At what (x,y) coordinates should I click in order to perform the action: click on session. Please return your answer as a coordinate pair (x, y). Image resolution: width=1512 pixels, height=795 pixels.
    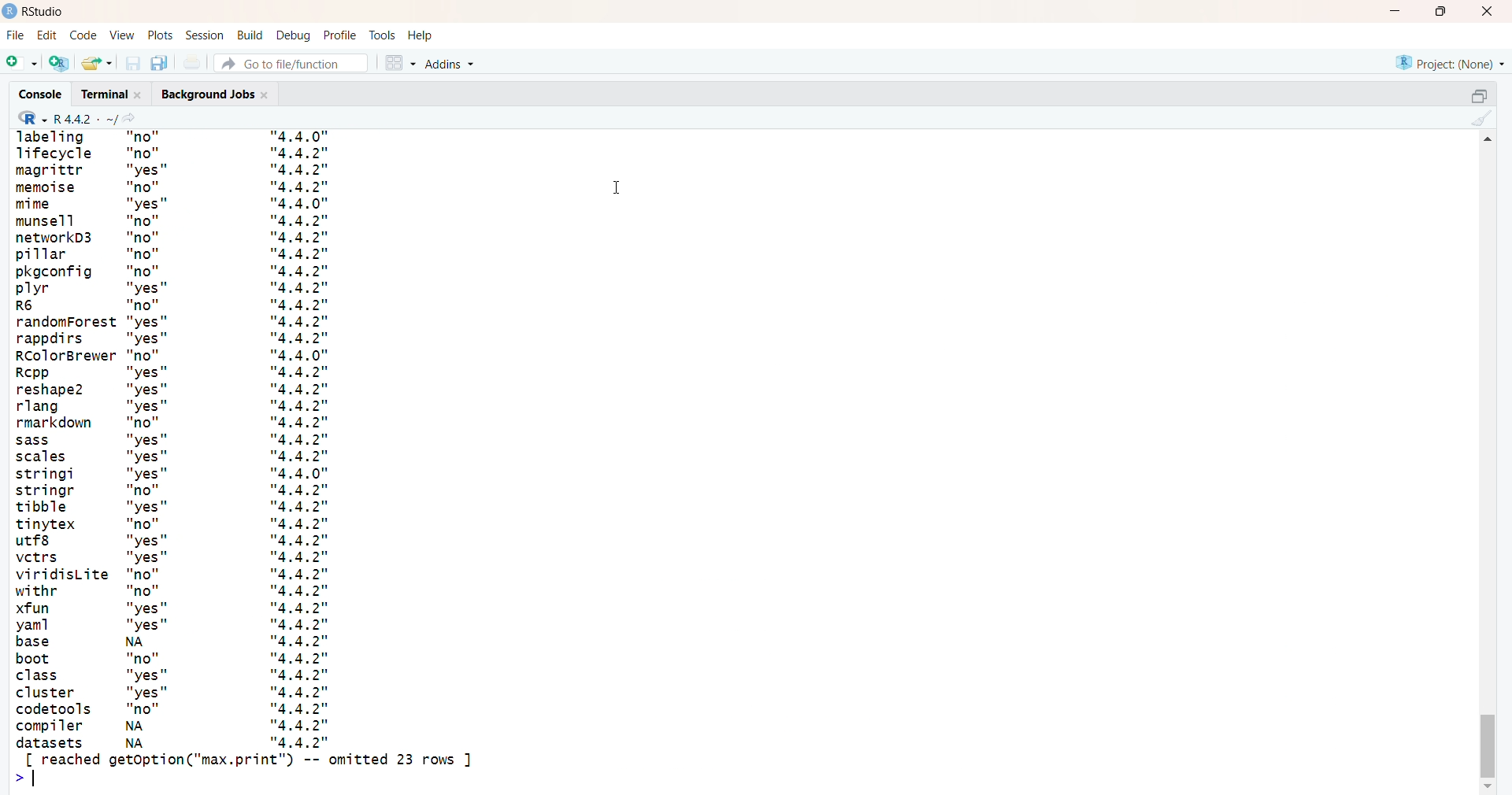
    Looking at the image, I should click on (205, 35).